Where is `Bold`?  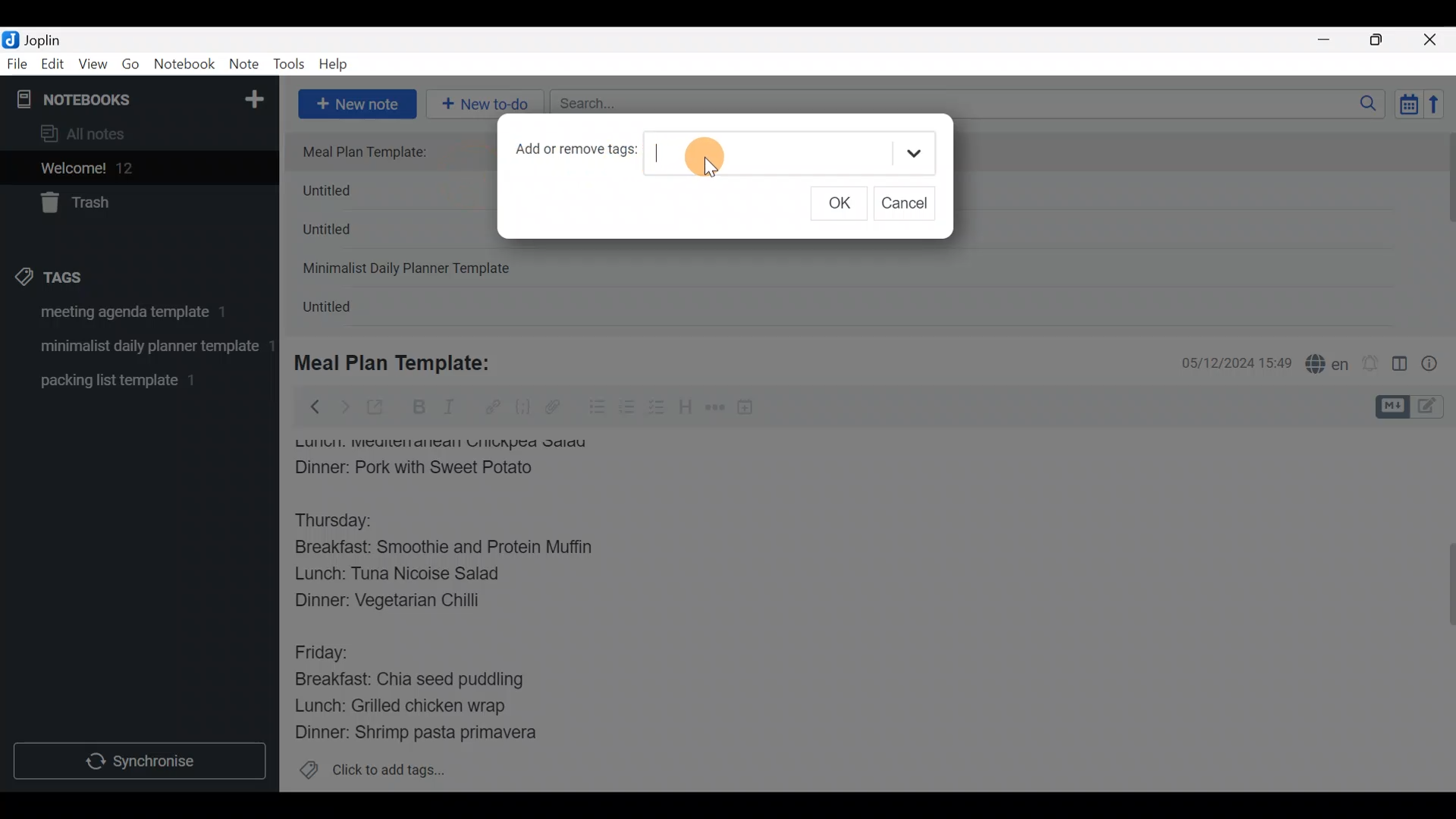 Bold is located at coordinates (418, 409).